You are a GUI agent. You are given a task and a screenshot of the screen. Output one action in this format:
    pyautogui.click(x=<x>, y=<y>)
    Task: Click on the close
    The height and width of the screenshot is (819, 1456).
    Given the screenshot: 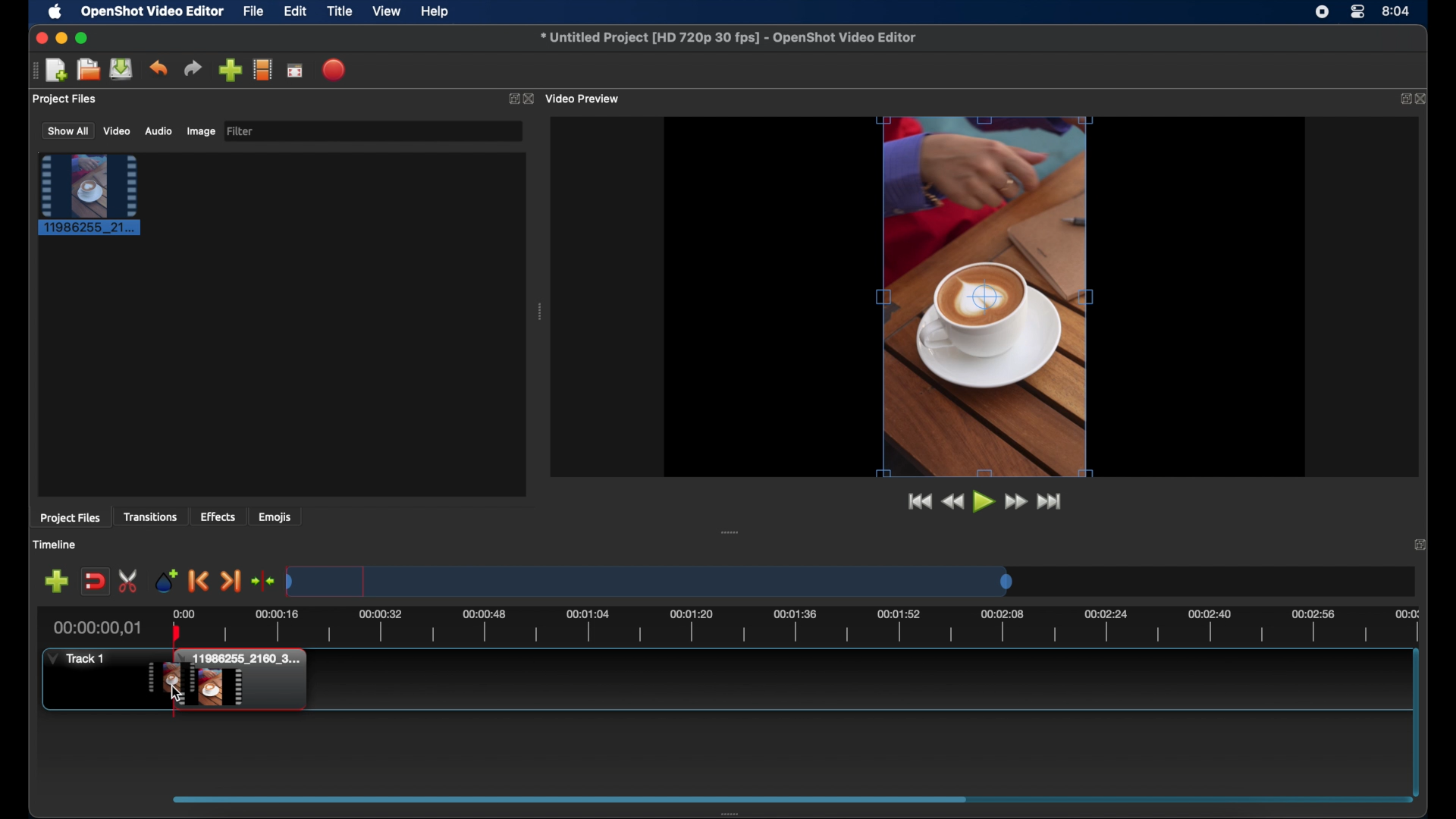 What is the action you would take?
    pyautogui.click(x=529, y=99)
    